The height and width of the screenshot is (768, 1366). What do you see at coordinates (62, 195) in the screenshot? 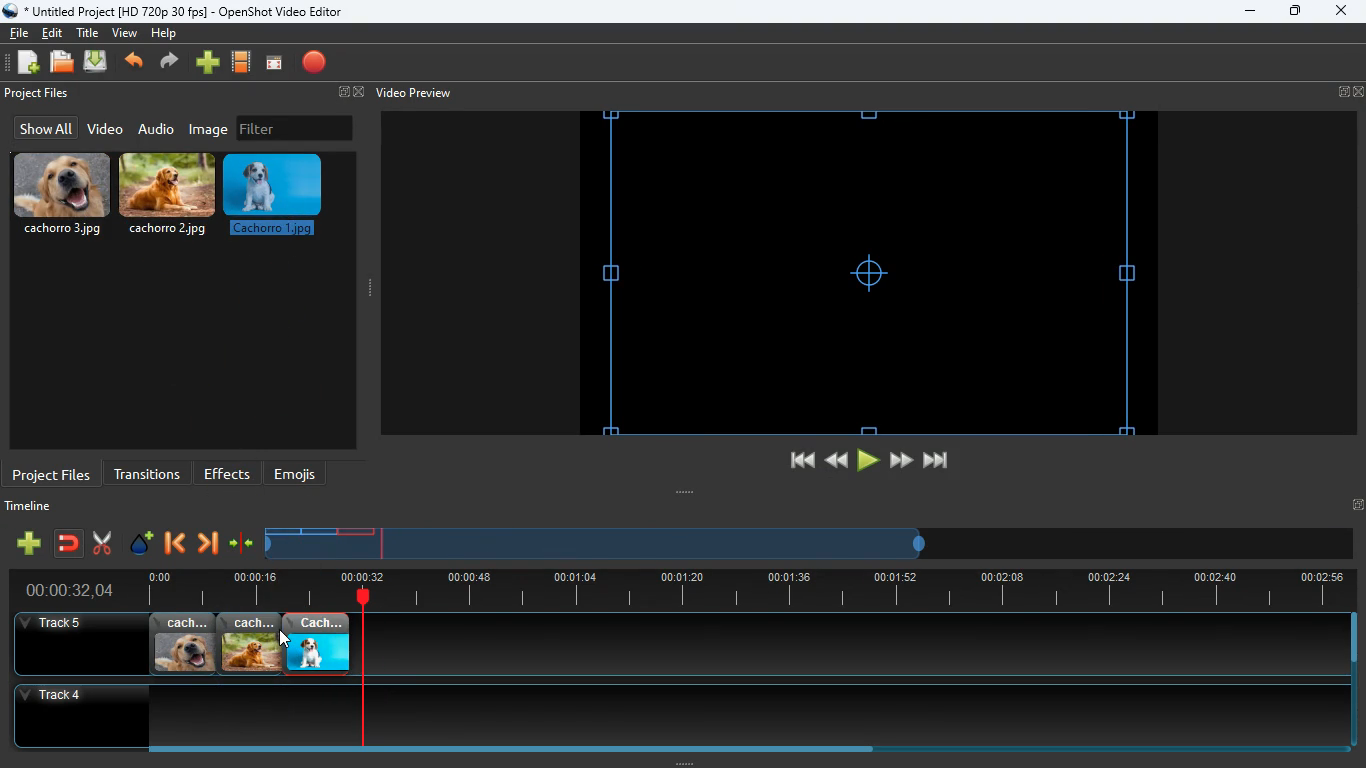
I see `cachorro.3.jpg` at bounding box center [62, 195].